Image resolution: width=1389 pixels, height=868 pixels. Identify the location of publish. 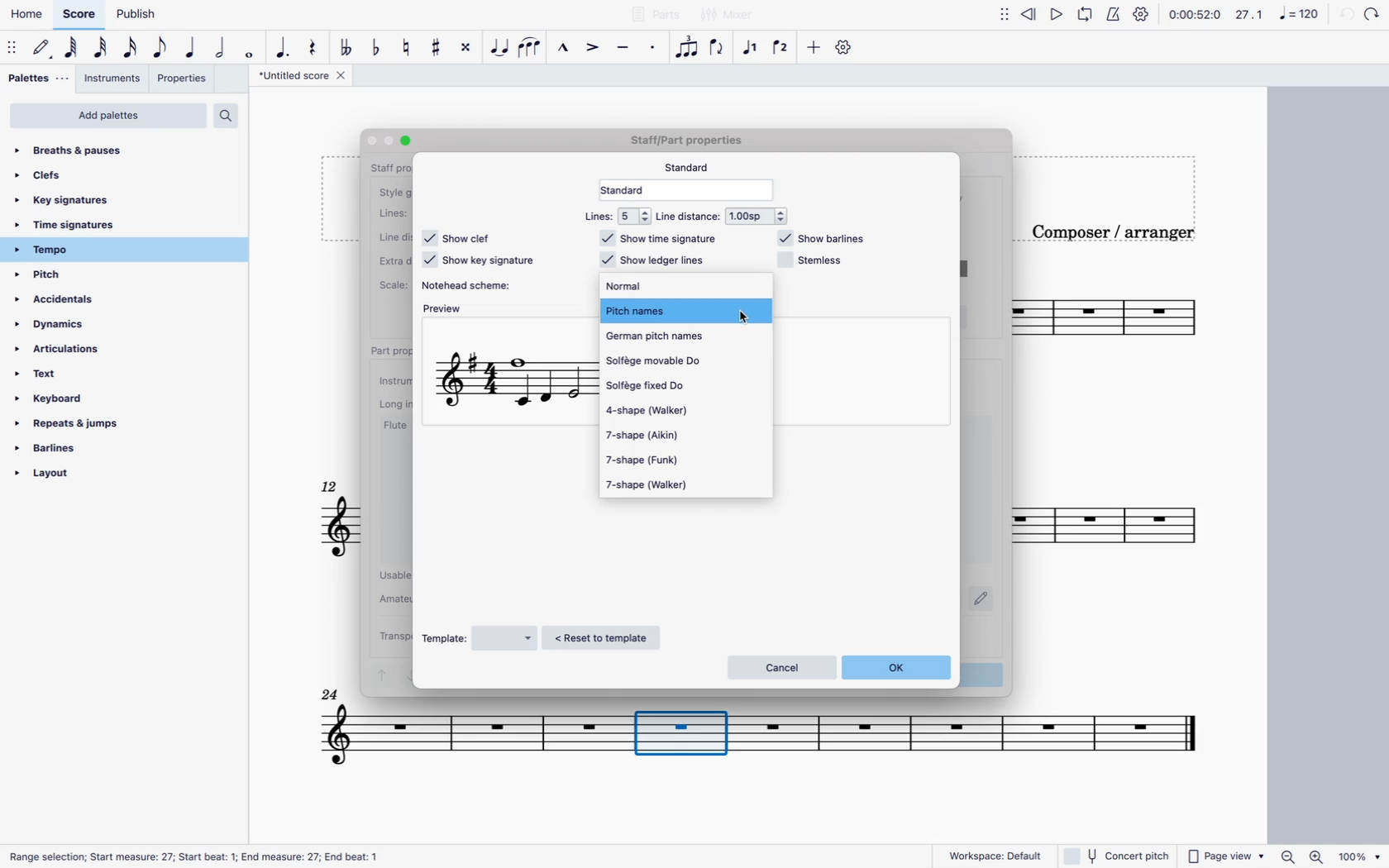
(135, 16).